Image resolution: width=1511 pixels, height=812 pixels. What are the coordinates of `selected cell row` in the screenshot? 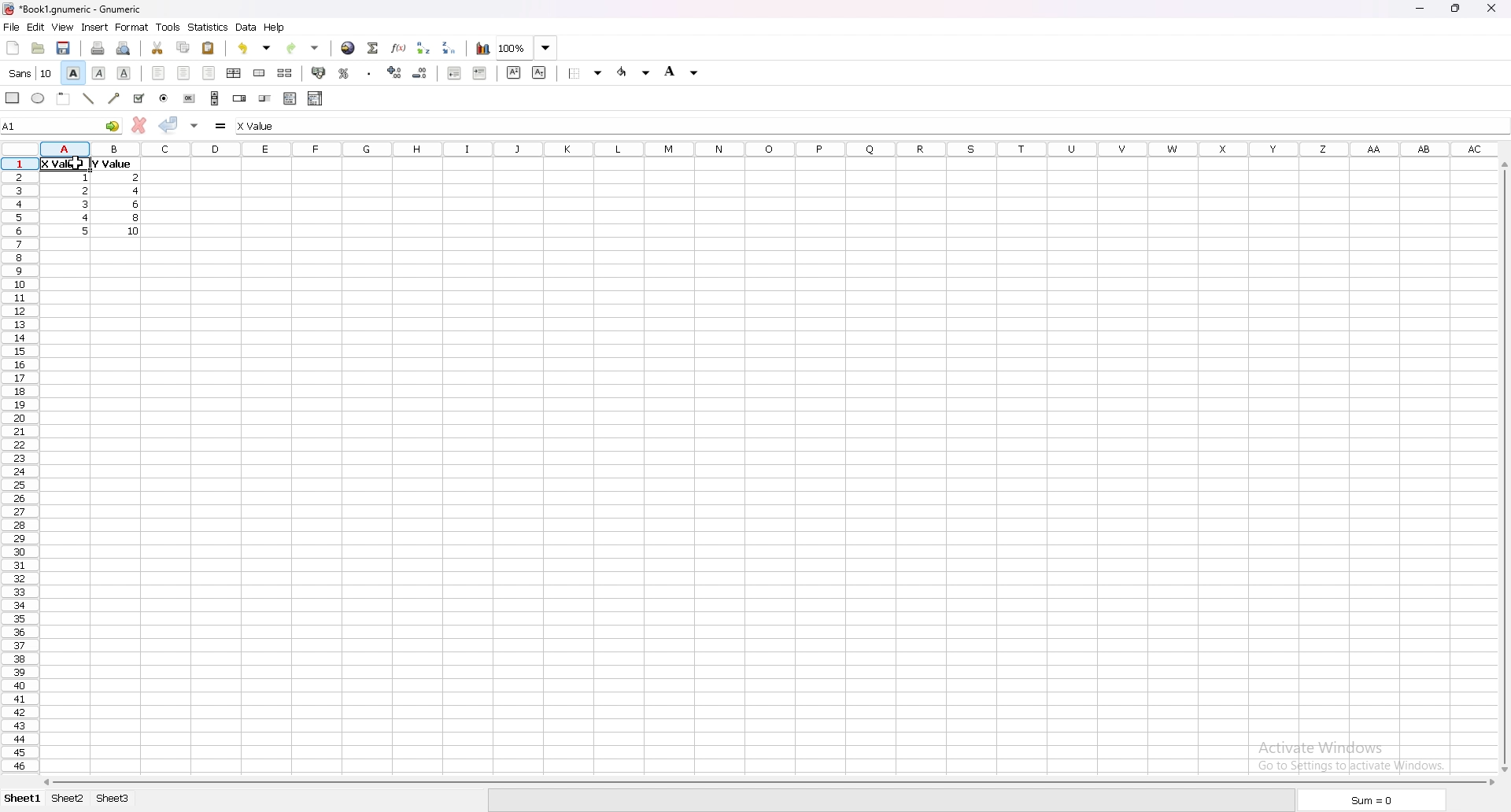 It's located at (21, 163).